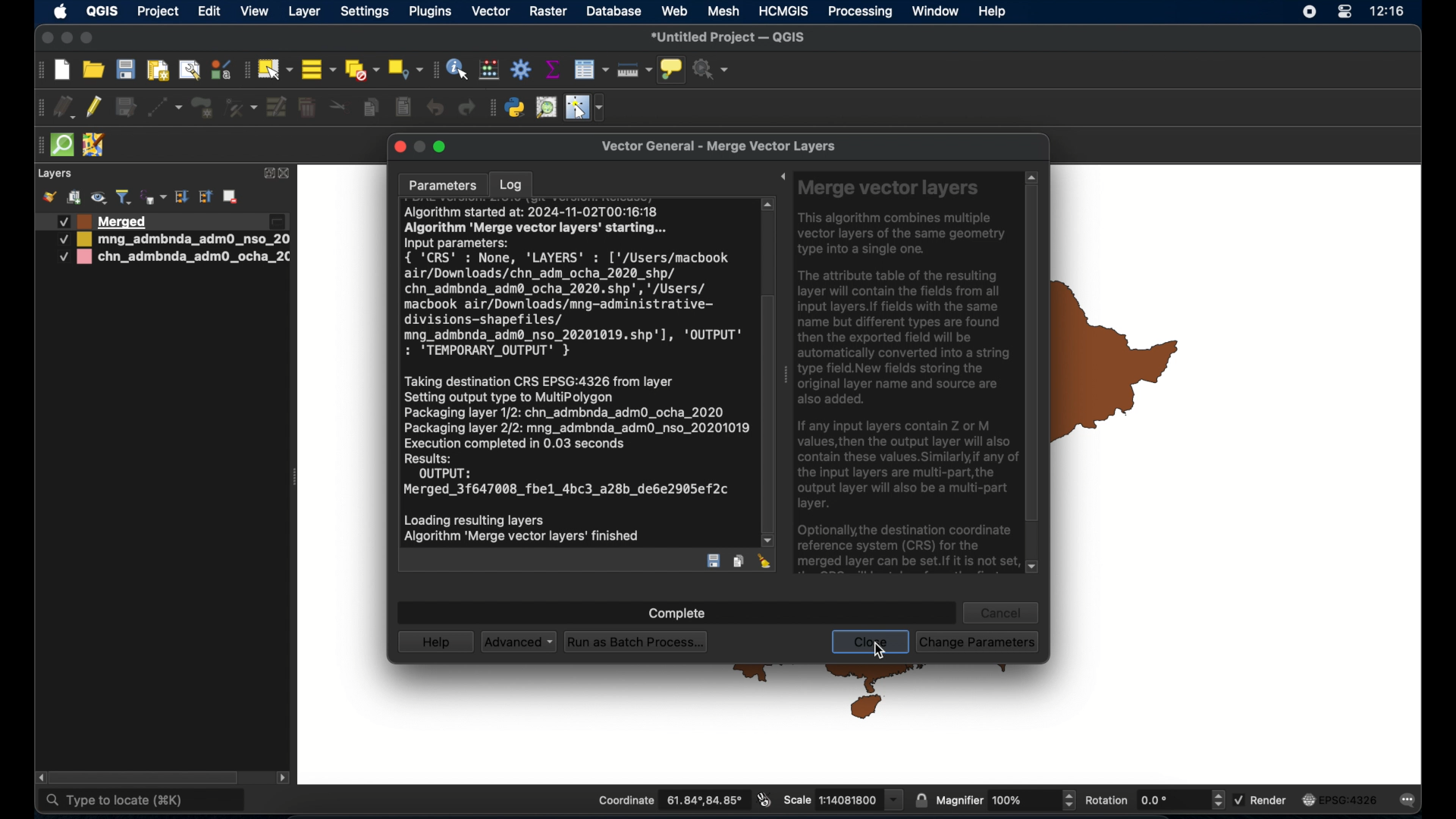  I want to click on raster, so click(548, 12).